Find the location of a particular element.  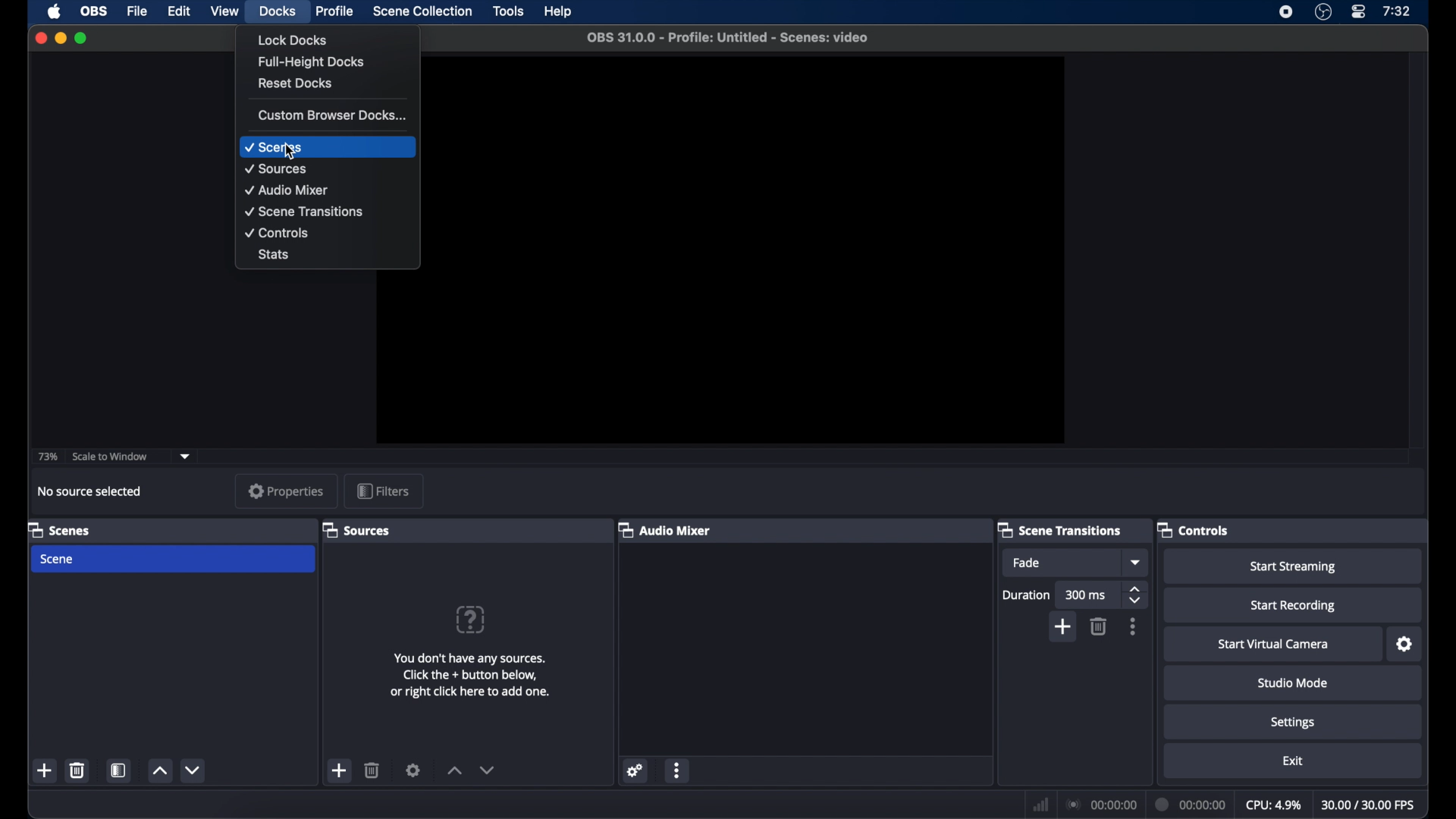

30.00/30.00 FPS is located at coordinates (1370, 805).